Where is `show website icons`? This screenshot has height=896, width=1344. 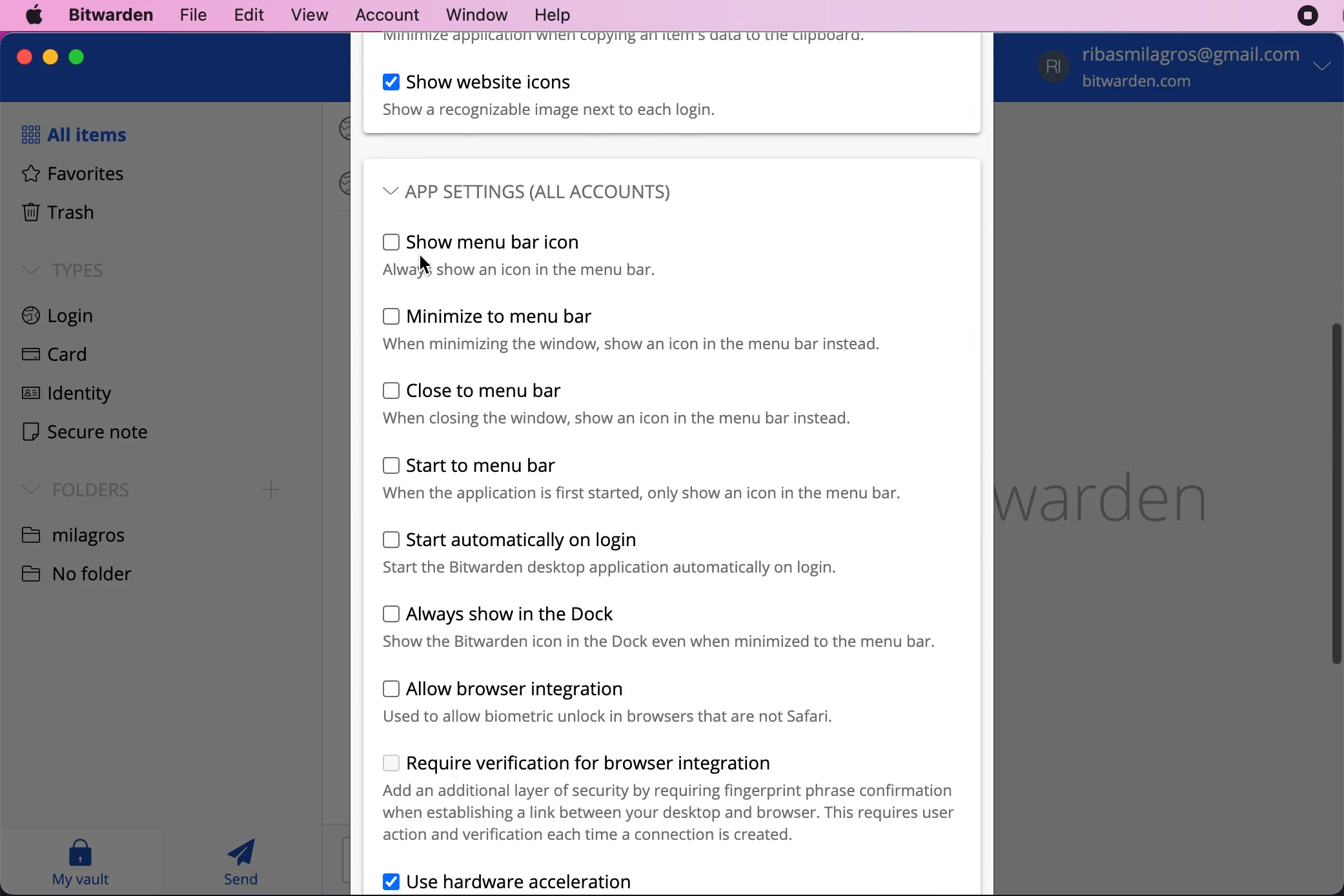
show website icons is located at coordinates (553, 97).